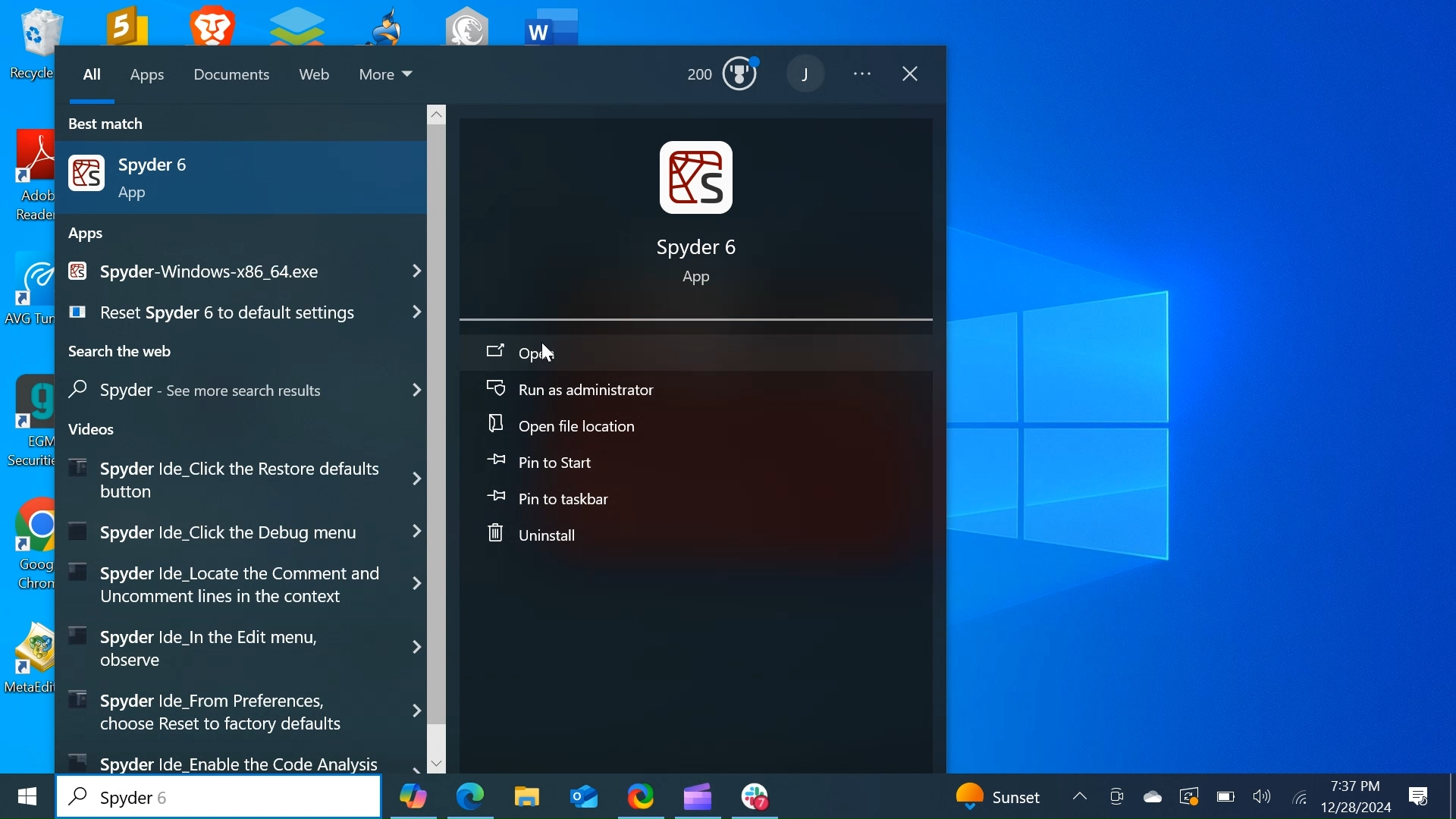  What do you see at coordinates (808, 73) in the screenshot?
I see `Avatar` at bounding box center [808, 73].